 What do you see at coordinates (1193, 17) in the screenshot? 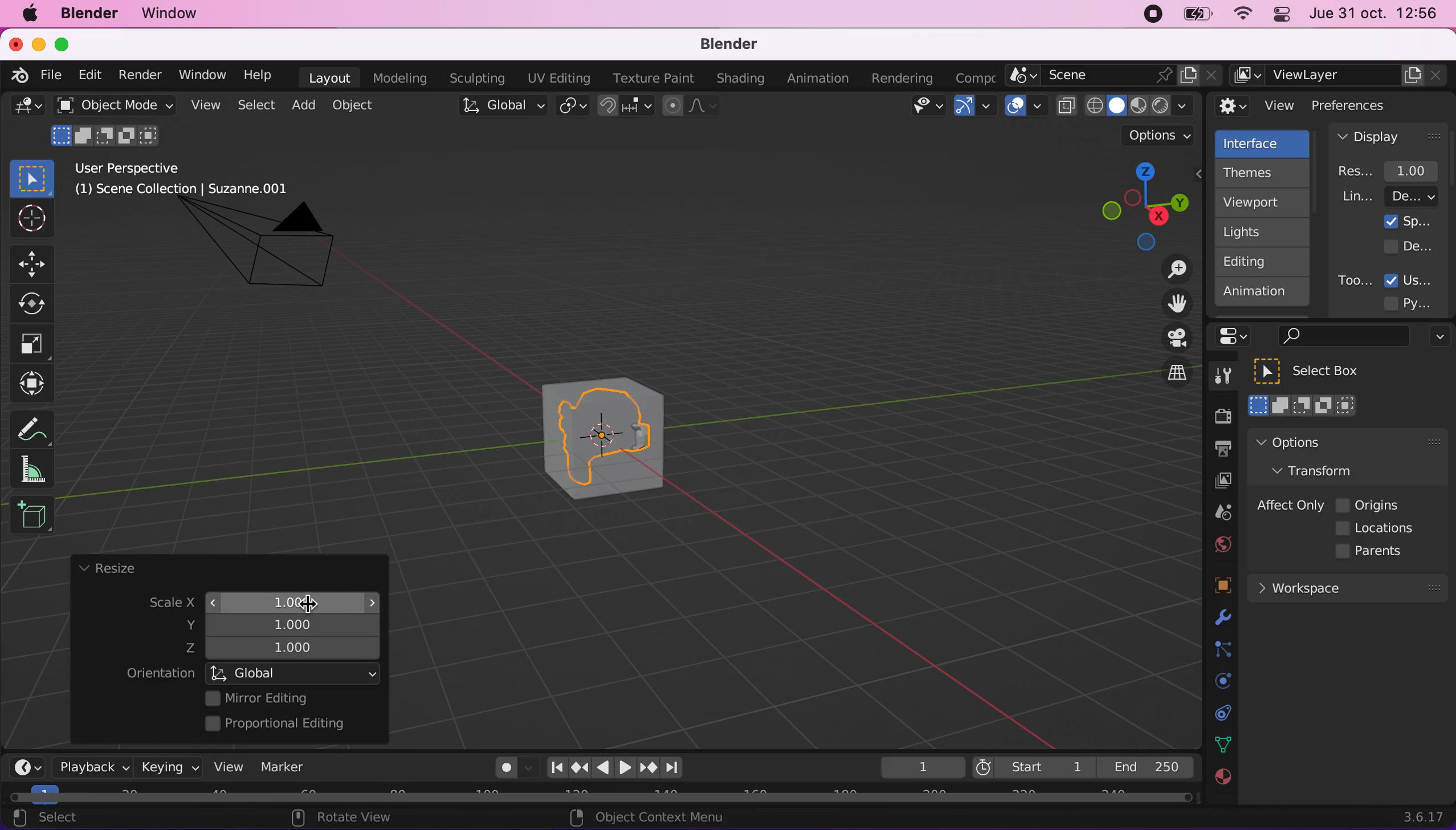
I see `battery` at bounding box center [1193, 17].